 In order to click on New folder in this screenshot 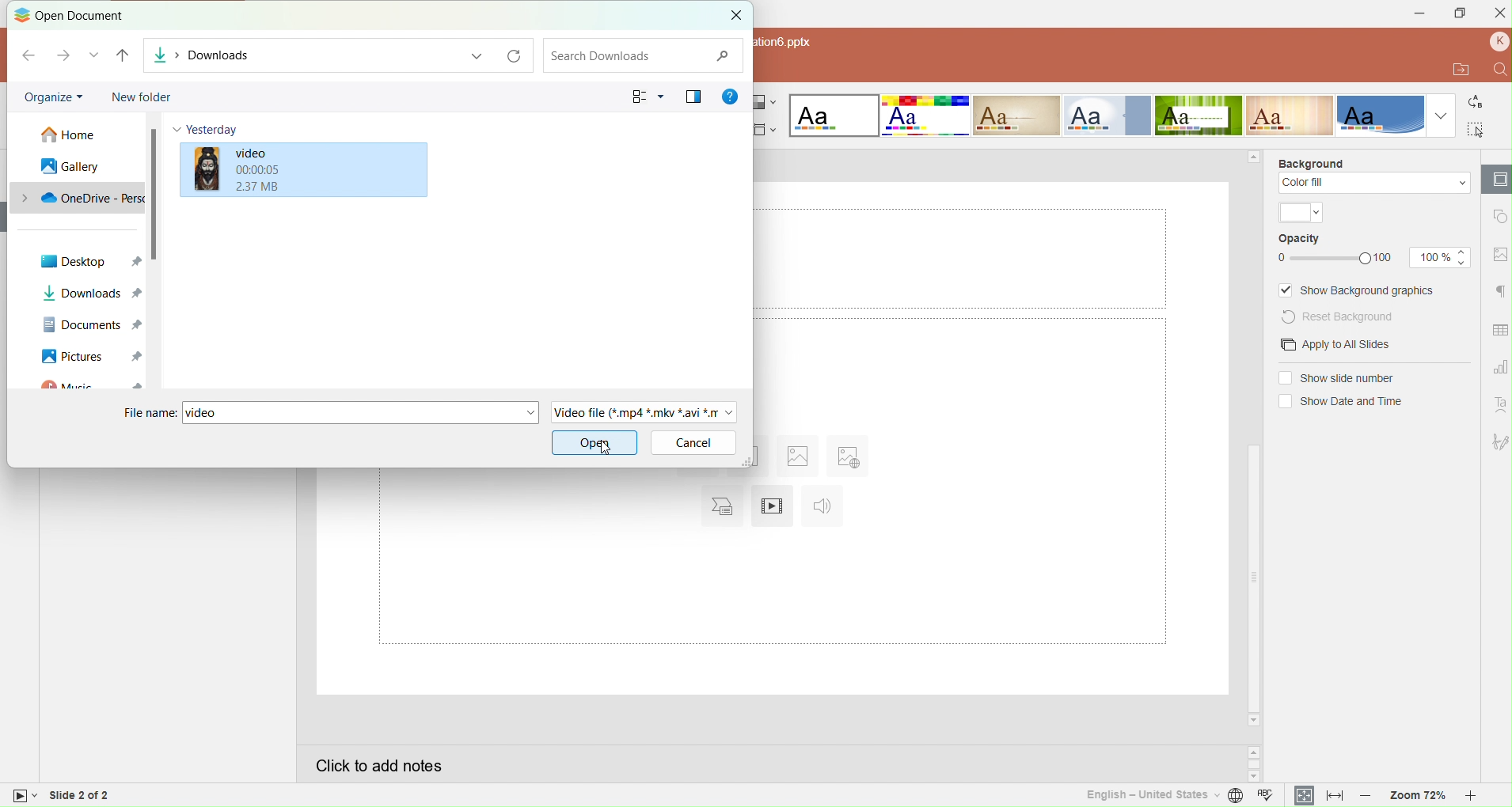, I will do `click(140, 97)`.